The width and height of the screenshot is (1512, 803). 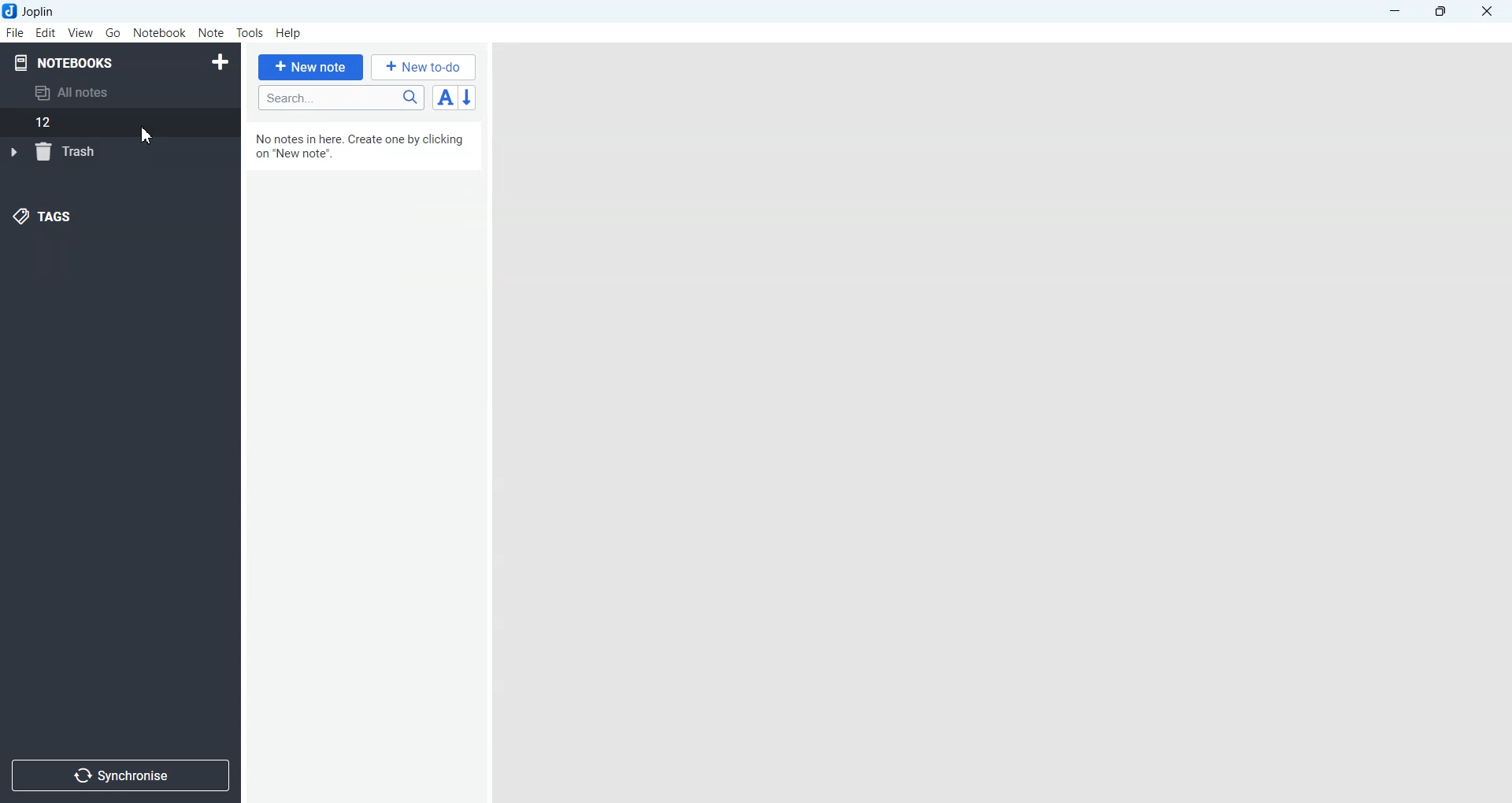 I want to click on Cursor, so click(x=146, y=135).